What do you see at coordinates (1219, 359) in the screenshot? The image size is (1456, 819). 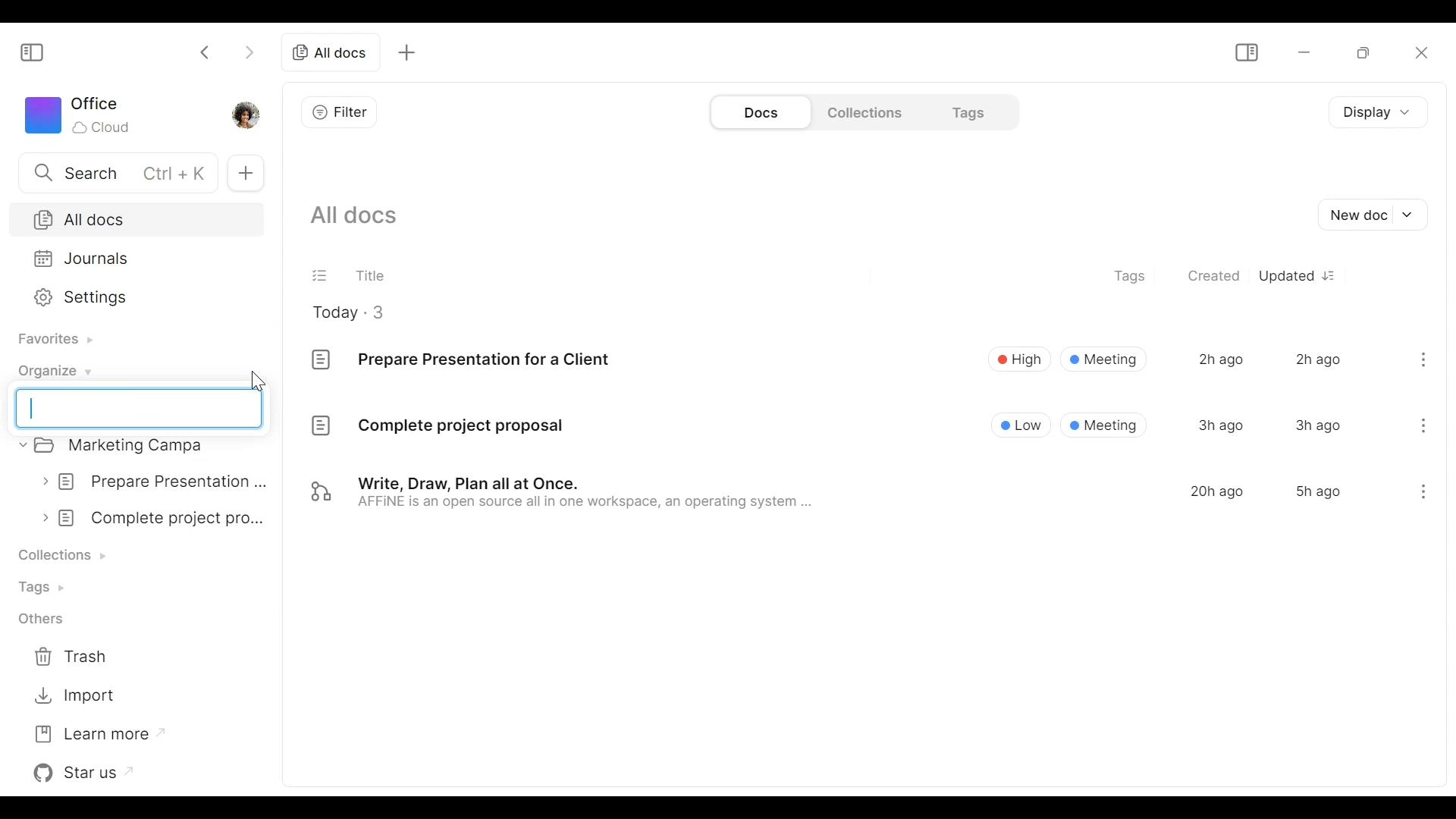 I see `2h ago` at bounding box center [1219, 359].